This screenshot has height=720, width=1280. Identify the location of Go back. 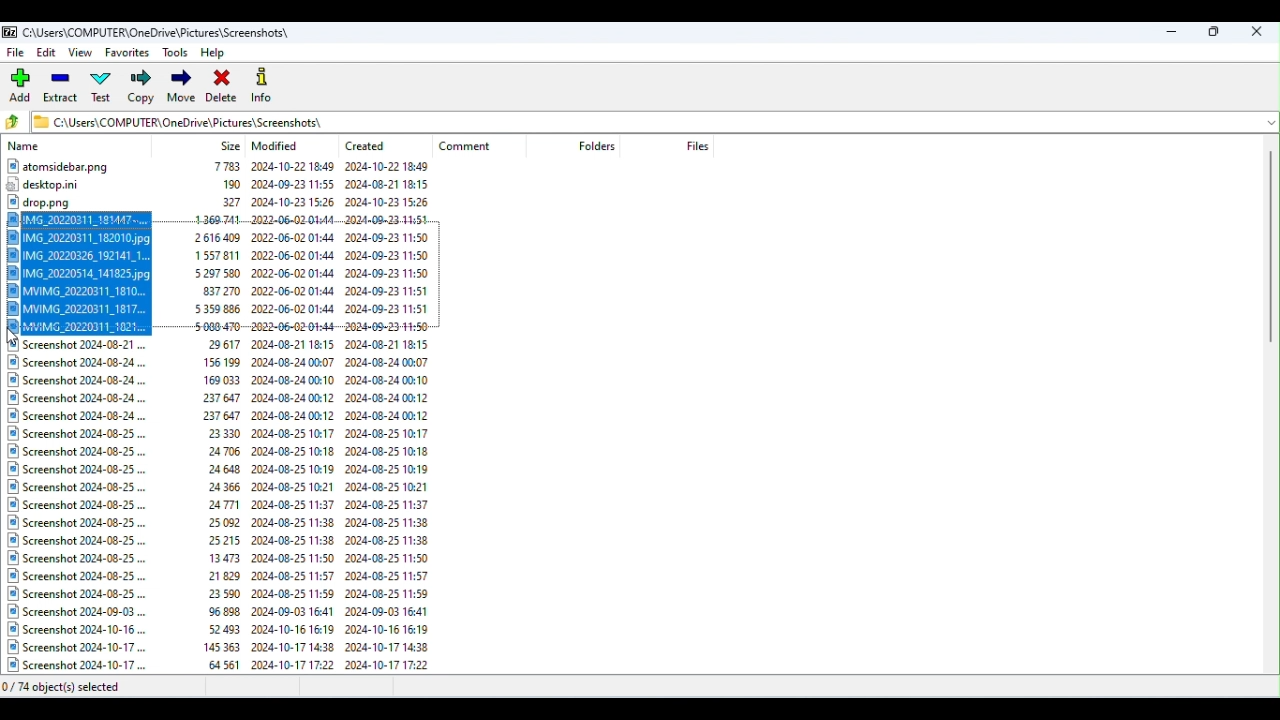
(16, 123).